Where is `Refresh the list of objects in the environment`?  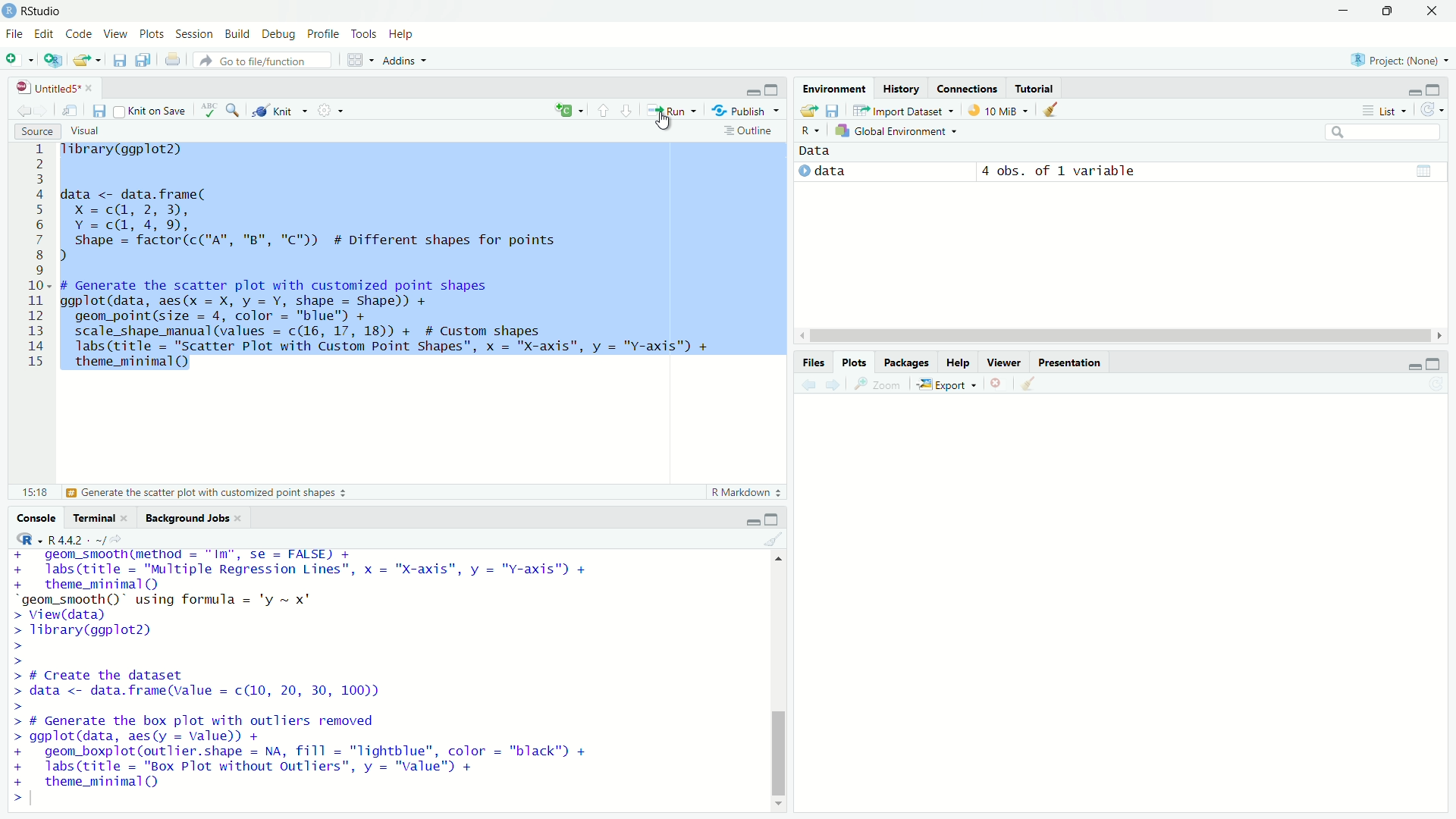
Refresh the list of objects in the environment is located at coordinates (1432, 109).